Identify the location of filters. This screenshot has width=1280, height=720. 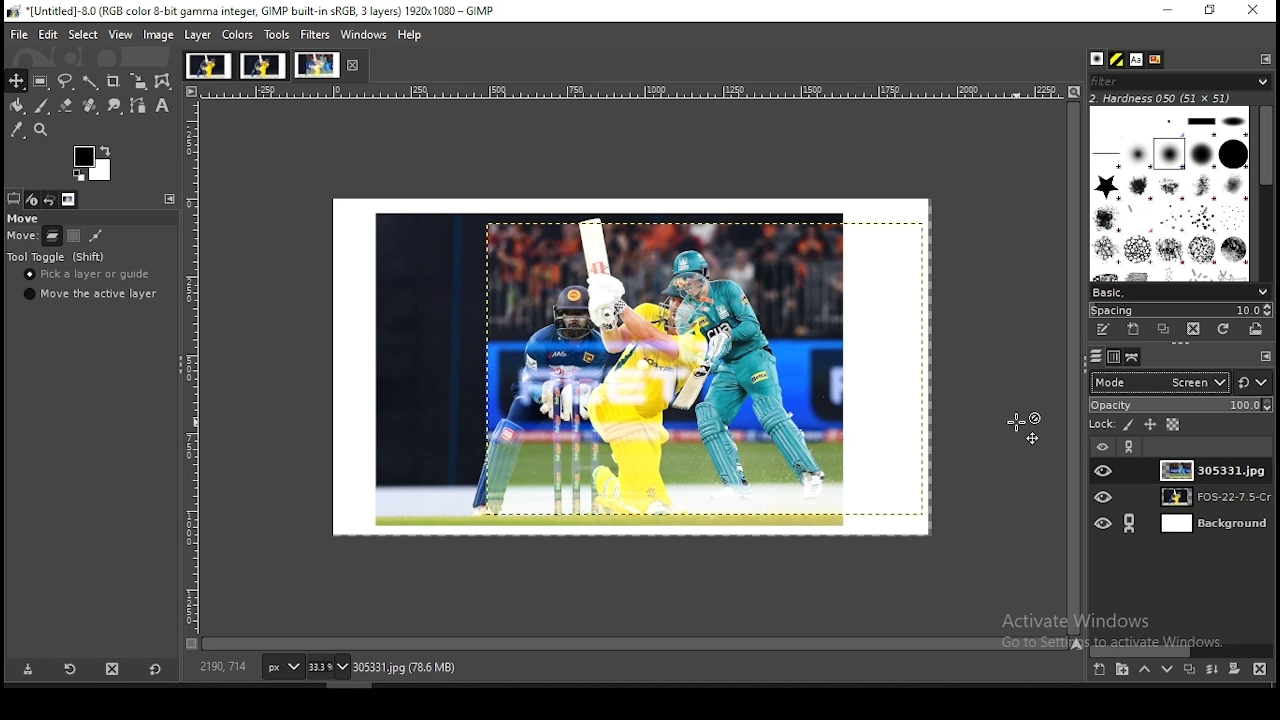
(315, 33).